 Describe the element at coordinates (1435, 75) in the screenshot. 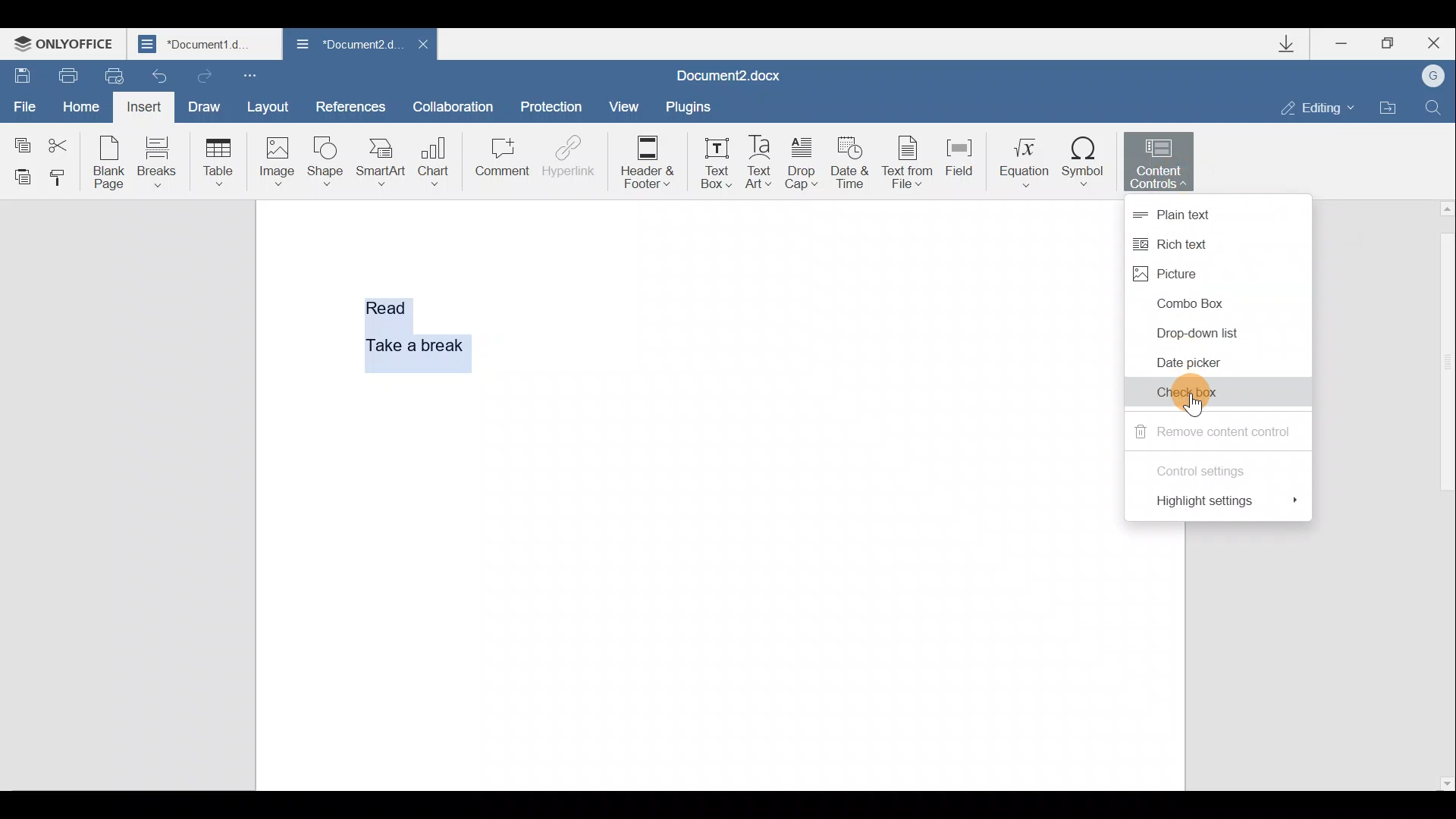

I see `G` at that location.